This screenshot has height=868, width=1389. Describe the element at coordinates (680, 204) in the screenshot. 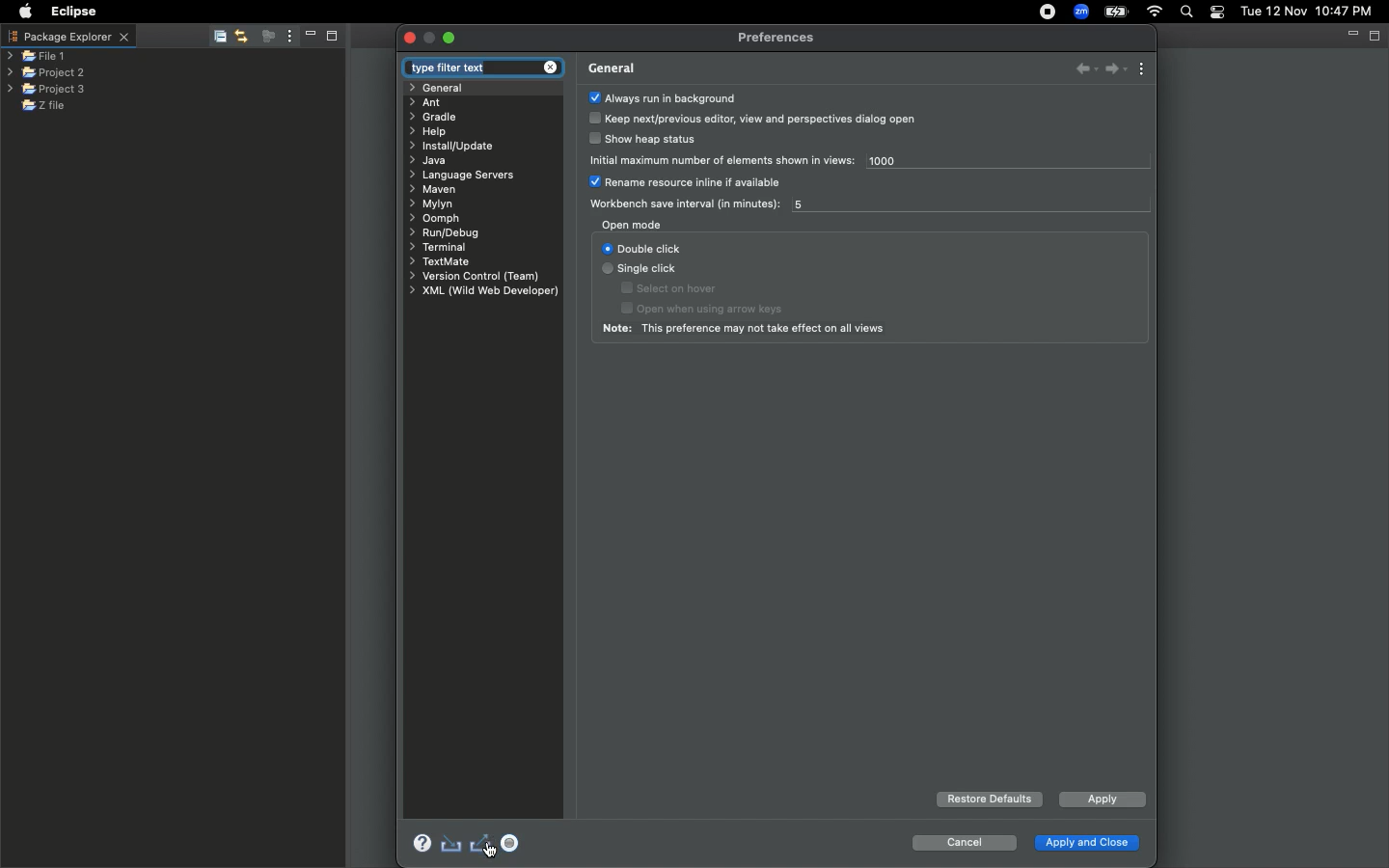

I see `Workbench save internal in minutes` at that location.